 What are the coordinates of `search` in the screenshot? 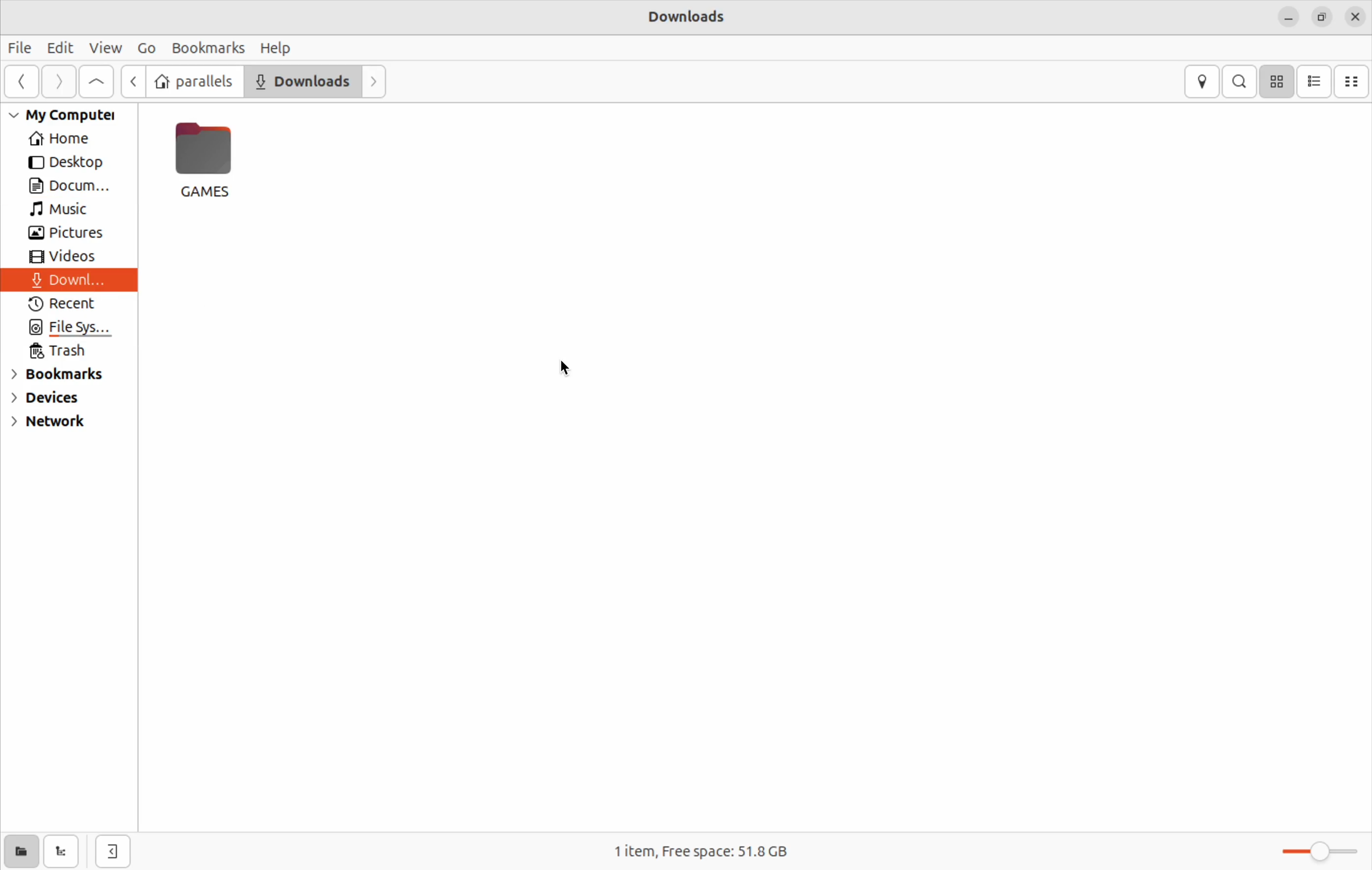 It's located at (1240, 81).